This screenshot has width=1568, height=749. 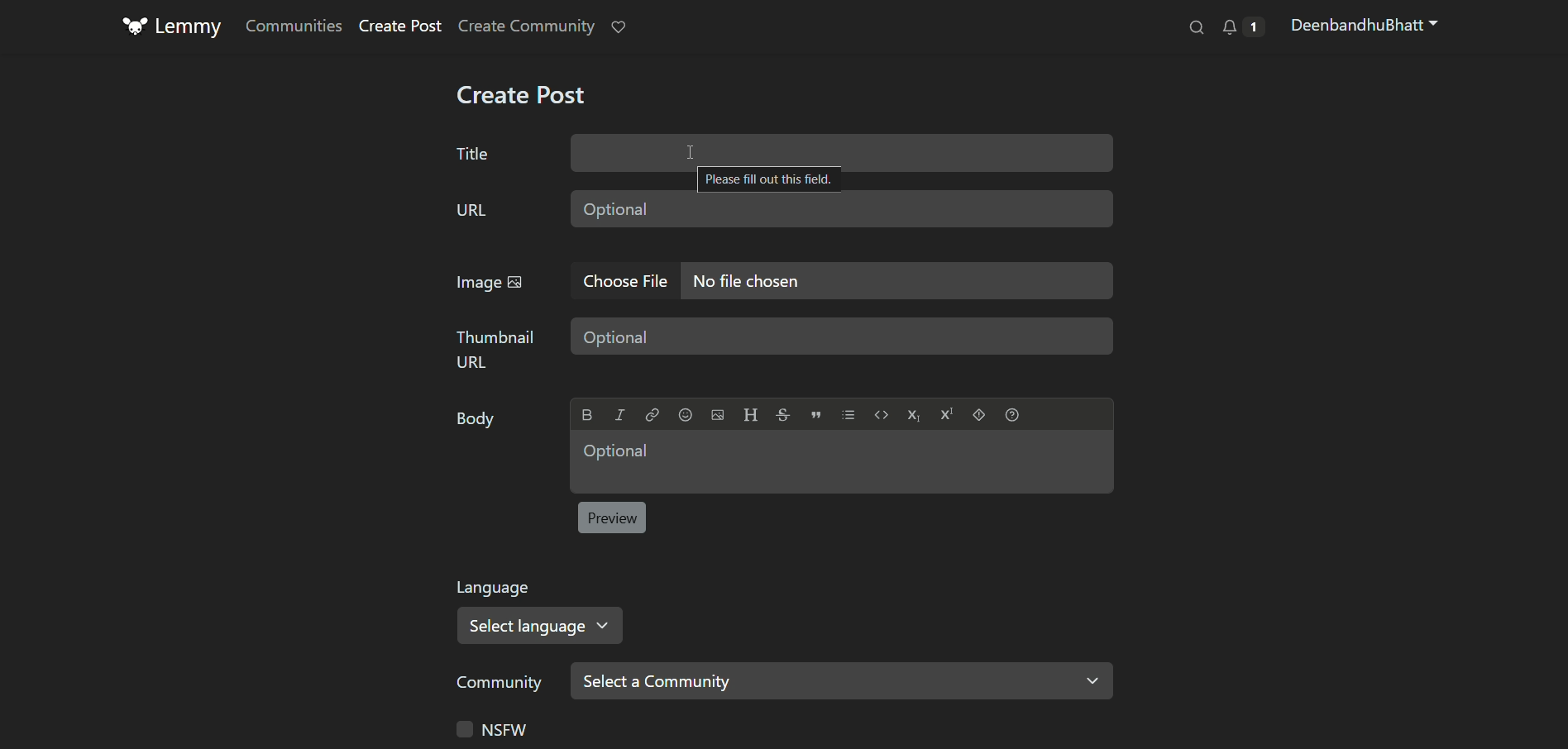 What do you see at coordinates (751, 415) in the screenshot?
I see `Header` at bounding box center [751, 415].